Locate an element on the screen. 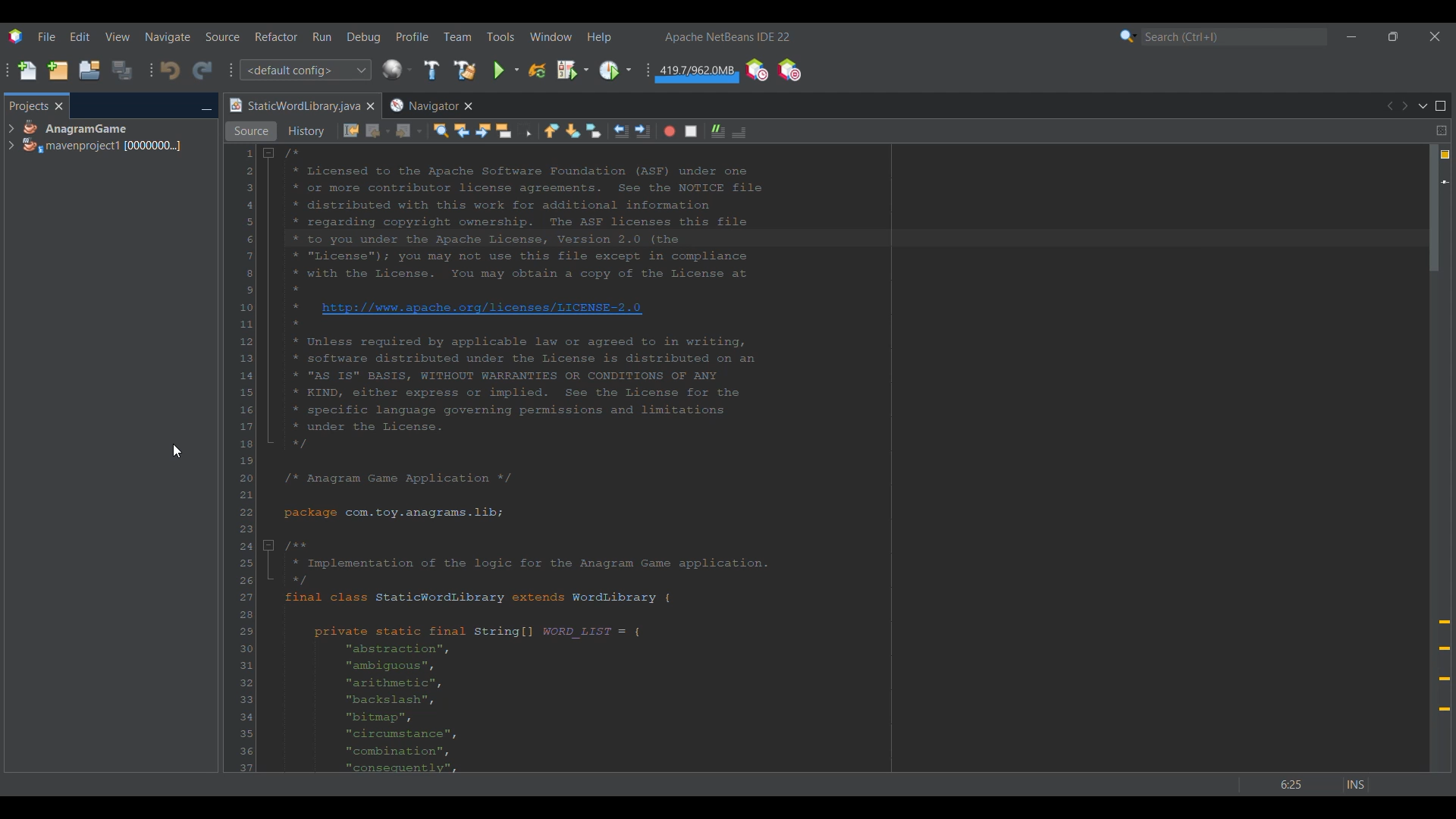 This screenshot has height=819, width=1456. Cursor right clicking is located at coordinates (176, 450).